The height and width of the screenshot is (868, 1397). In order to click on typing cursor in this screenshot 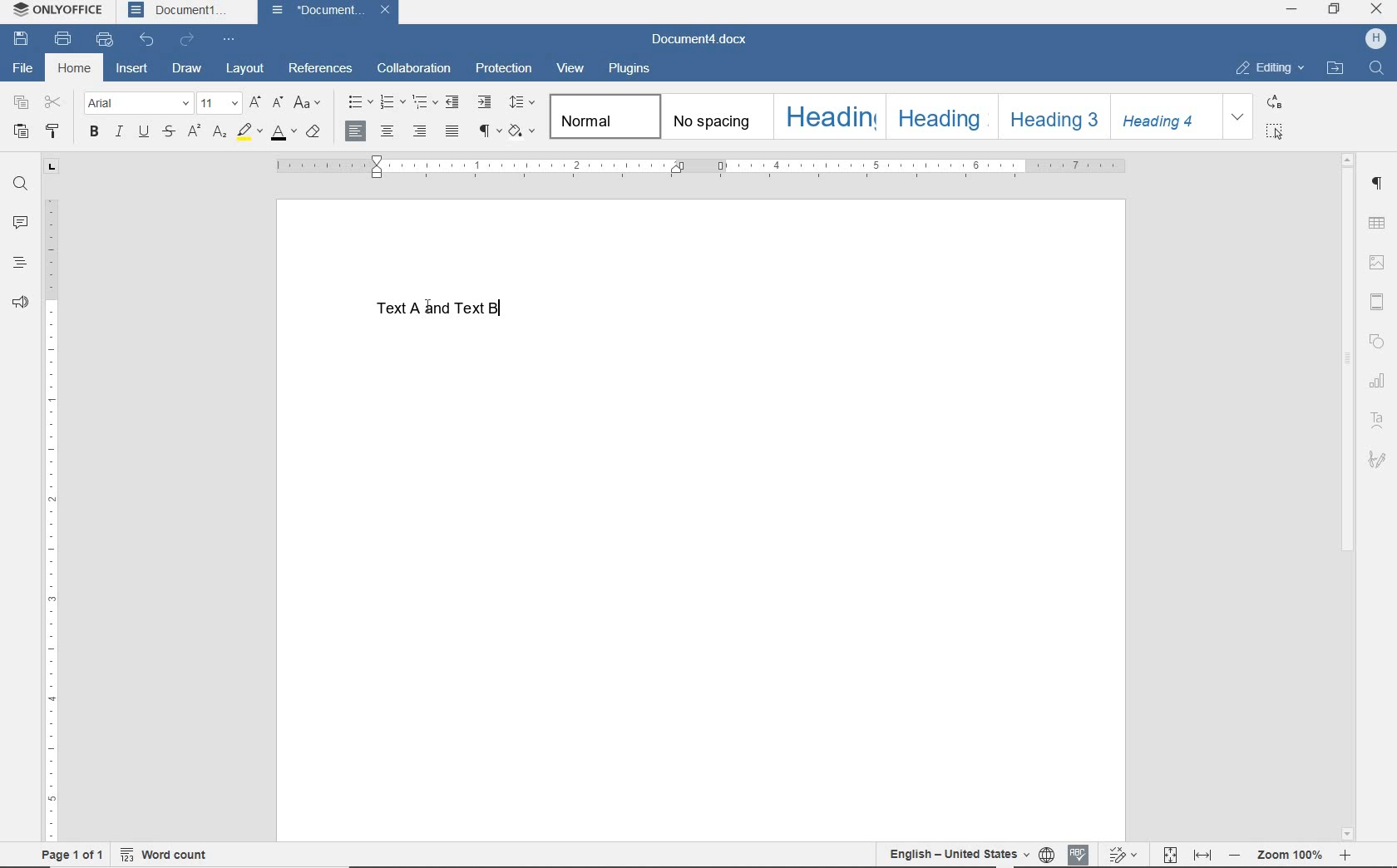, I will do `click(506, 305)`.